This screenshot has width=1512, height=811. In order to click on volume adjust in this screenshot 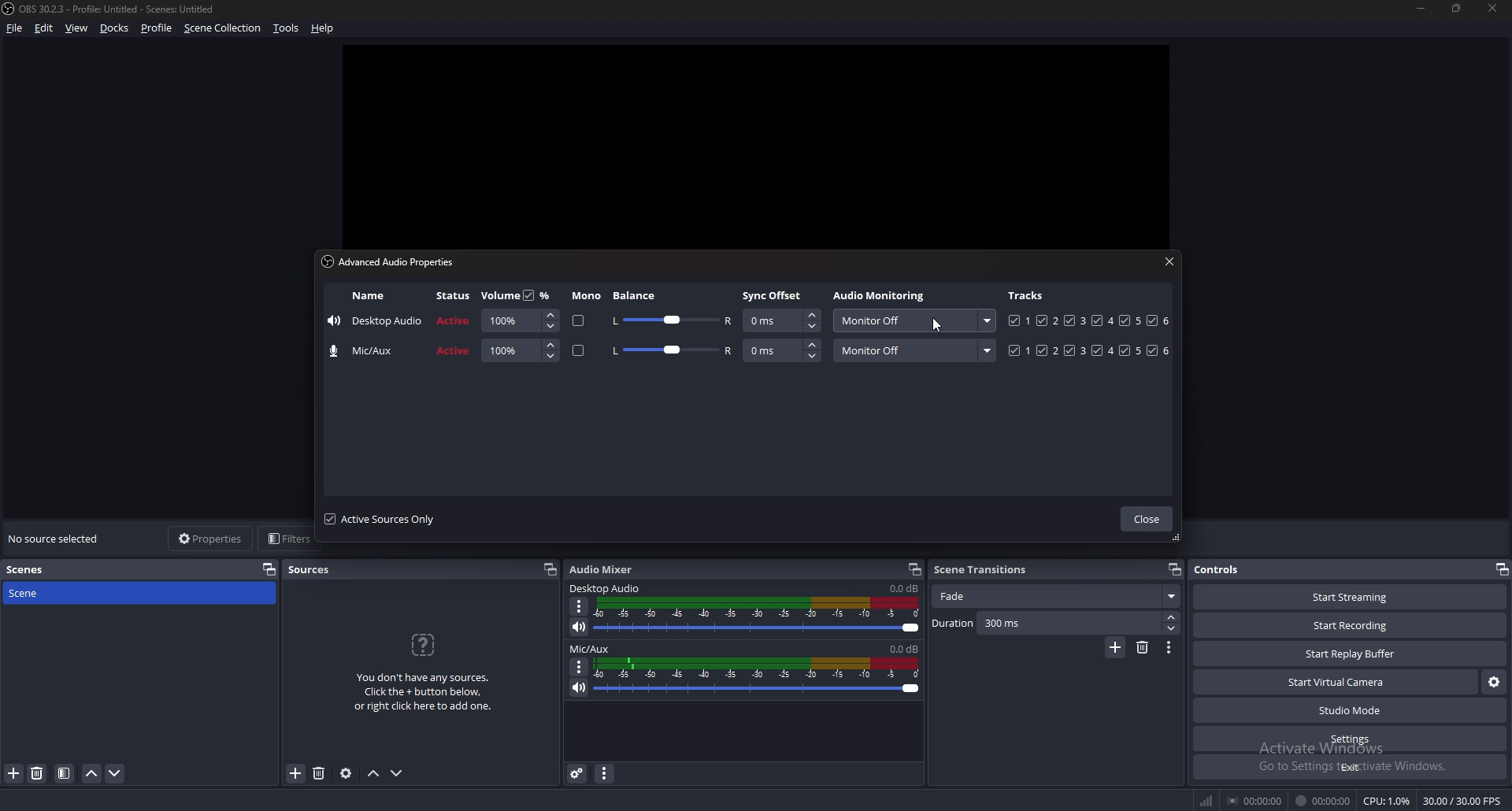, I will do `click(520, 351)`.